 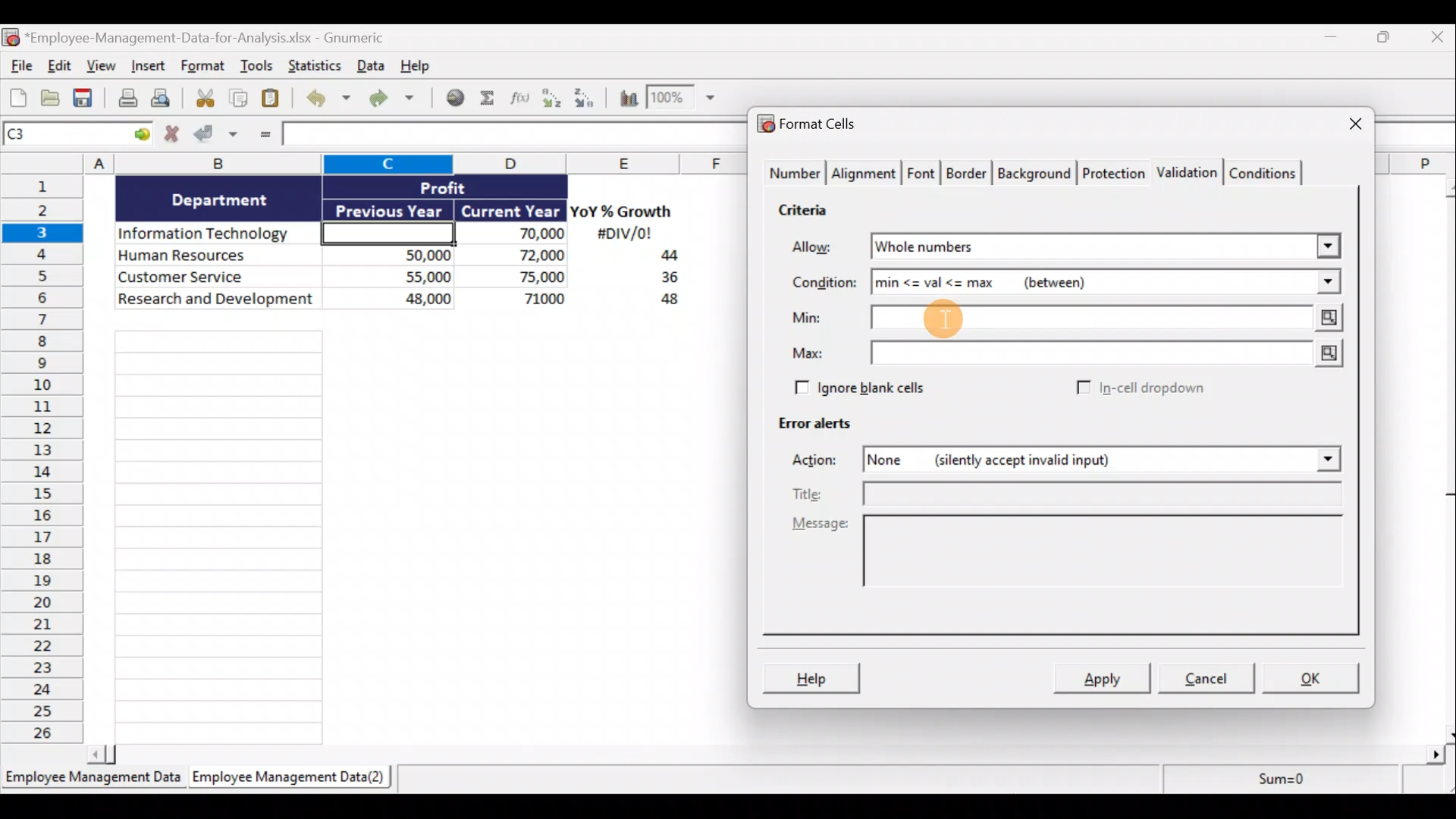 What do you see at coordinates (286, 780) in the screenshot?
I see `Employee Management Data(2)` at bounding box center [286, 780].